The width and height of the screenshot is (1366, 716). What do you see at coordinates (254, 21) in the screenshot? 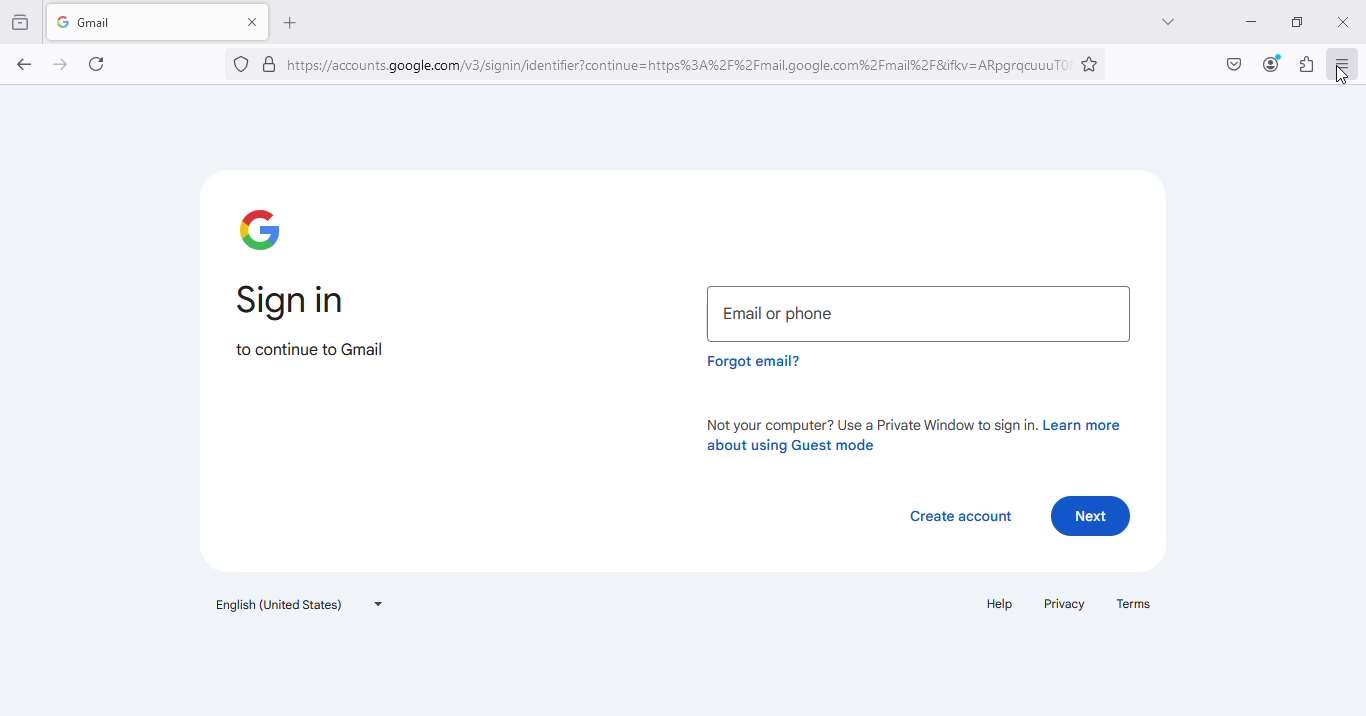
I see `close tab` at bounding box center [254, 21].